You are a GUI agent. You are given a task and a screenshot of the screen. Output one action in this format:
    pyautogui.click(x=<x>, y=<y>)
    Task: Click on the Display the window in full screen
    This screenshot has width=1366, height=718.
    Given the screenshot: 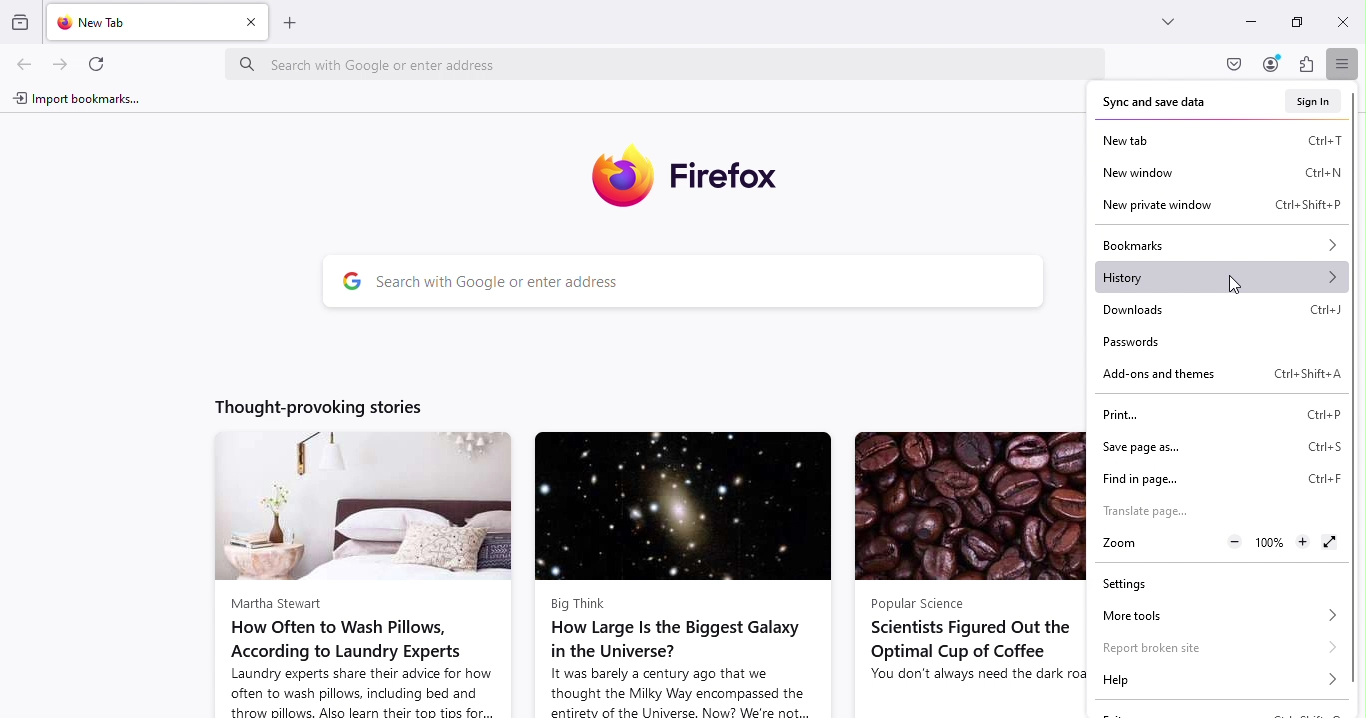 What is the action you would take?
    pyautogui.click(x=1329, y=543)
    